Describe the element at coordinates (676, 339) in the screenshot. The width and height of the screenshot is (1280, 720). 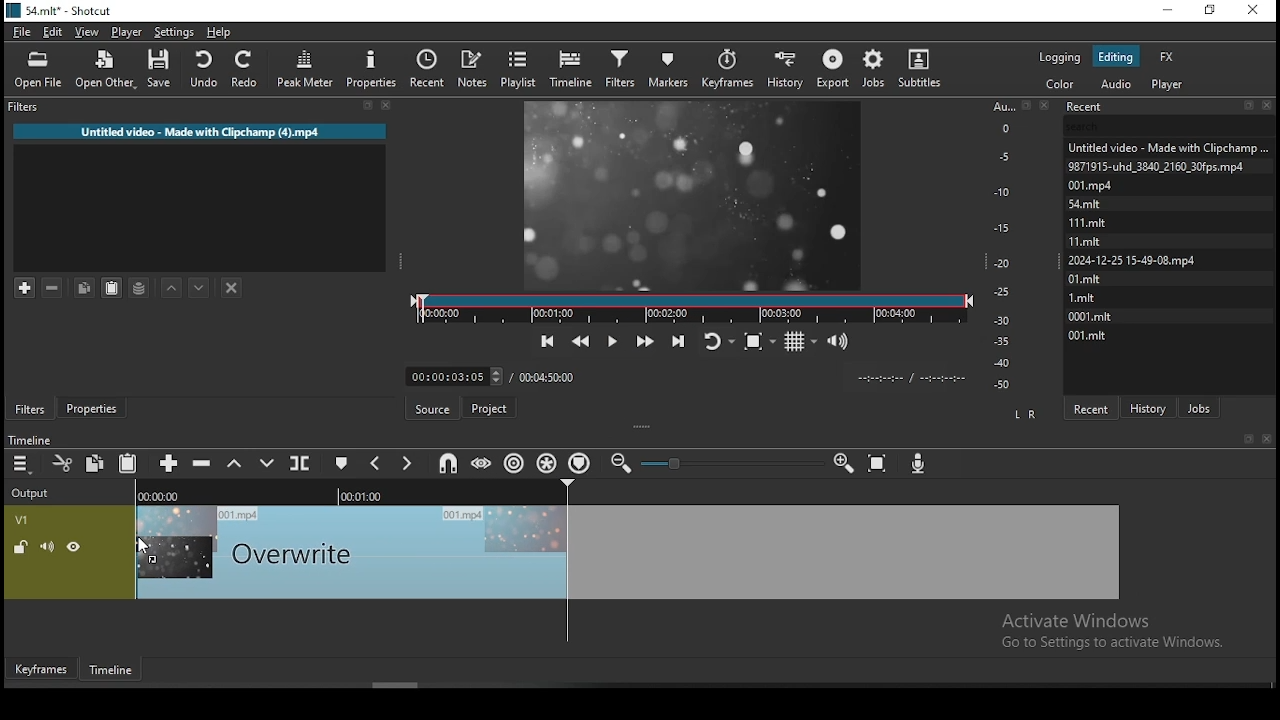
I see `skip to the next point` at that location.